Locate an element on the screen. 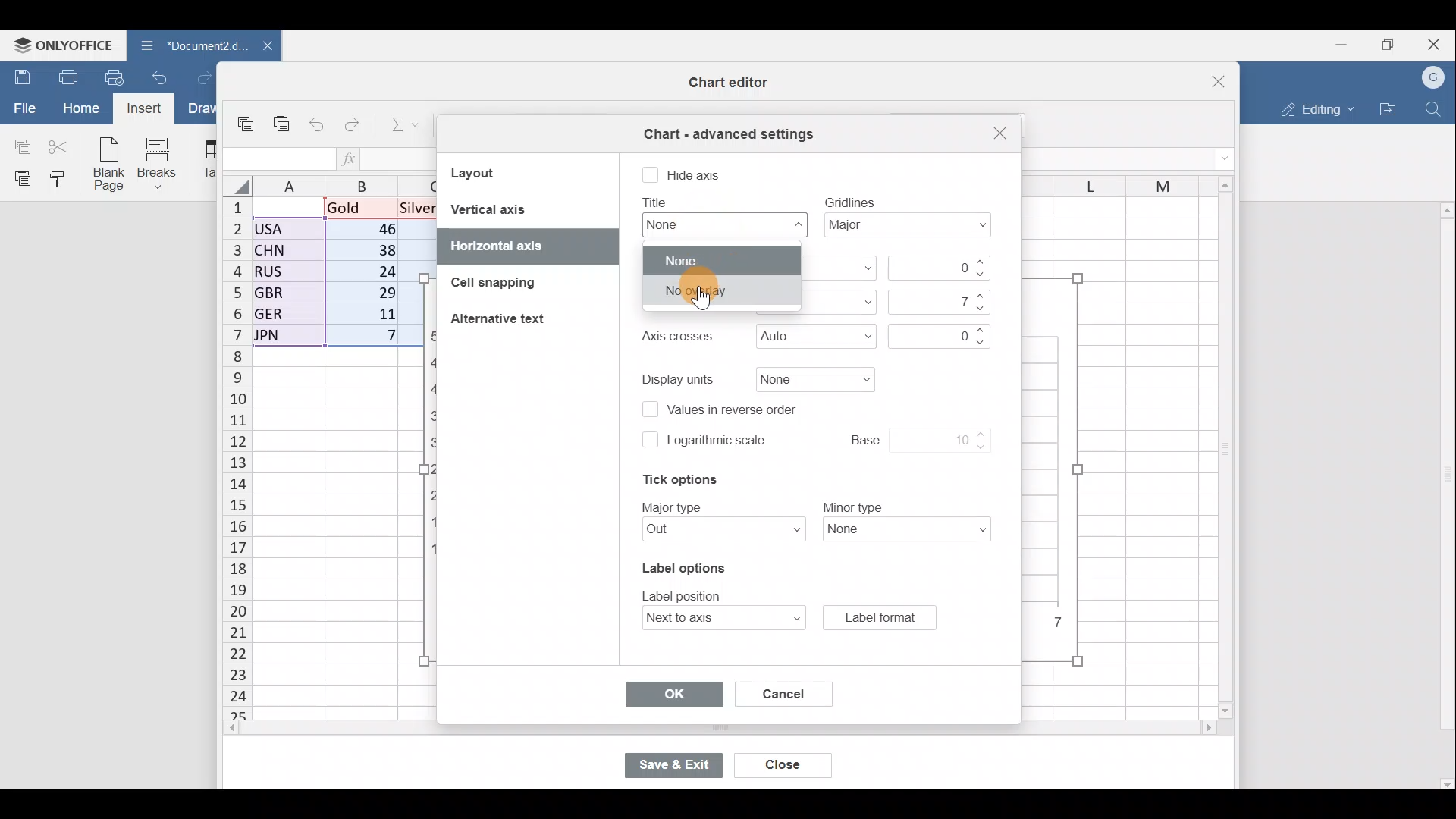  Minor type is located at coordinates (912, 531).